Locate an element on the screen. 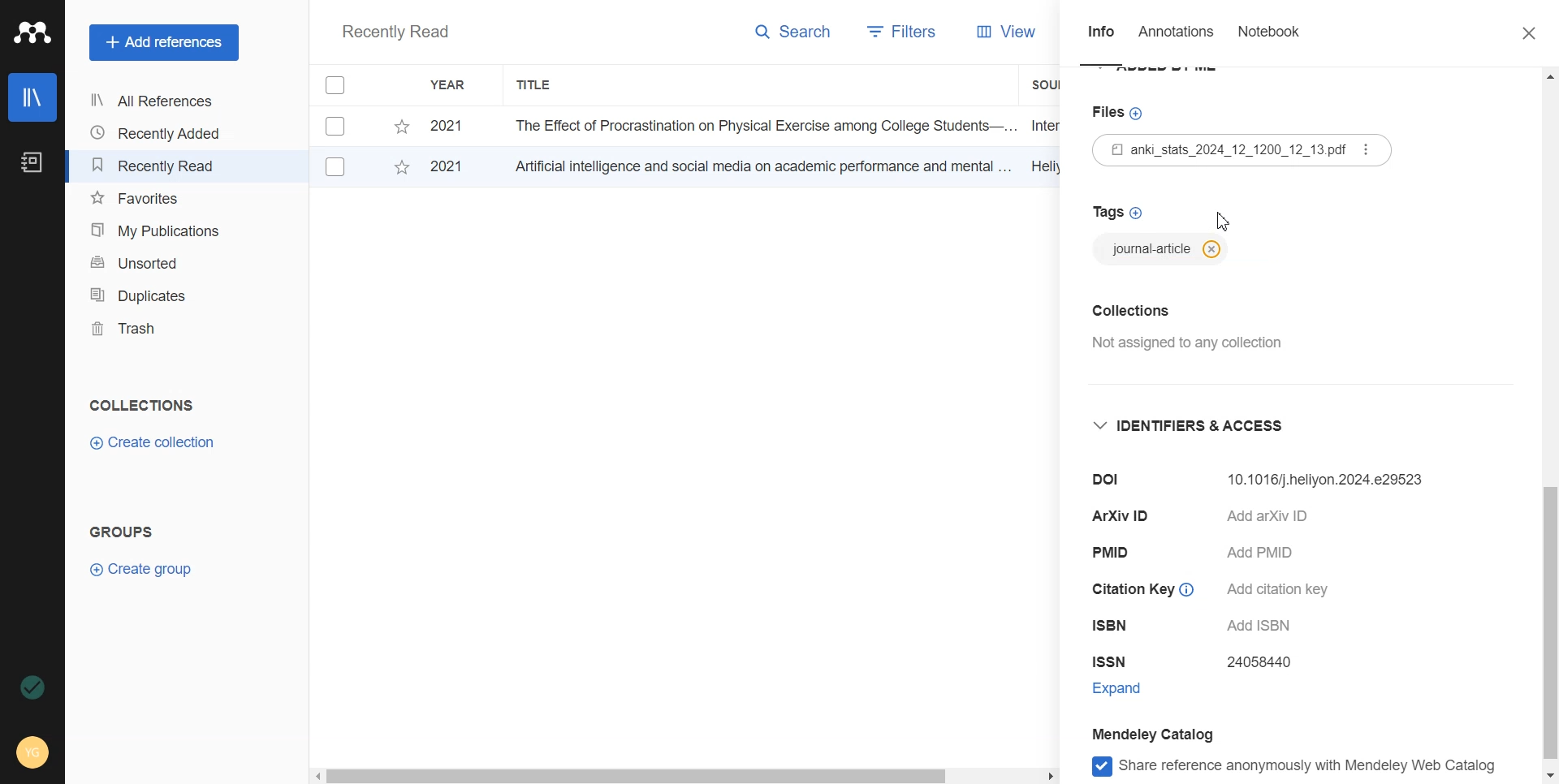 This screenshot has height=784, width=1559. Identifier and access is located at coordinates (1203, 431).